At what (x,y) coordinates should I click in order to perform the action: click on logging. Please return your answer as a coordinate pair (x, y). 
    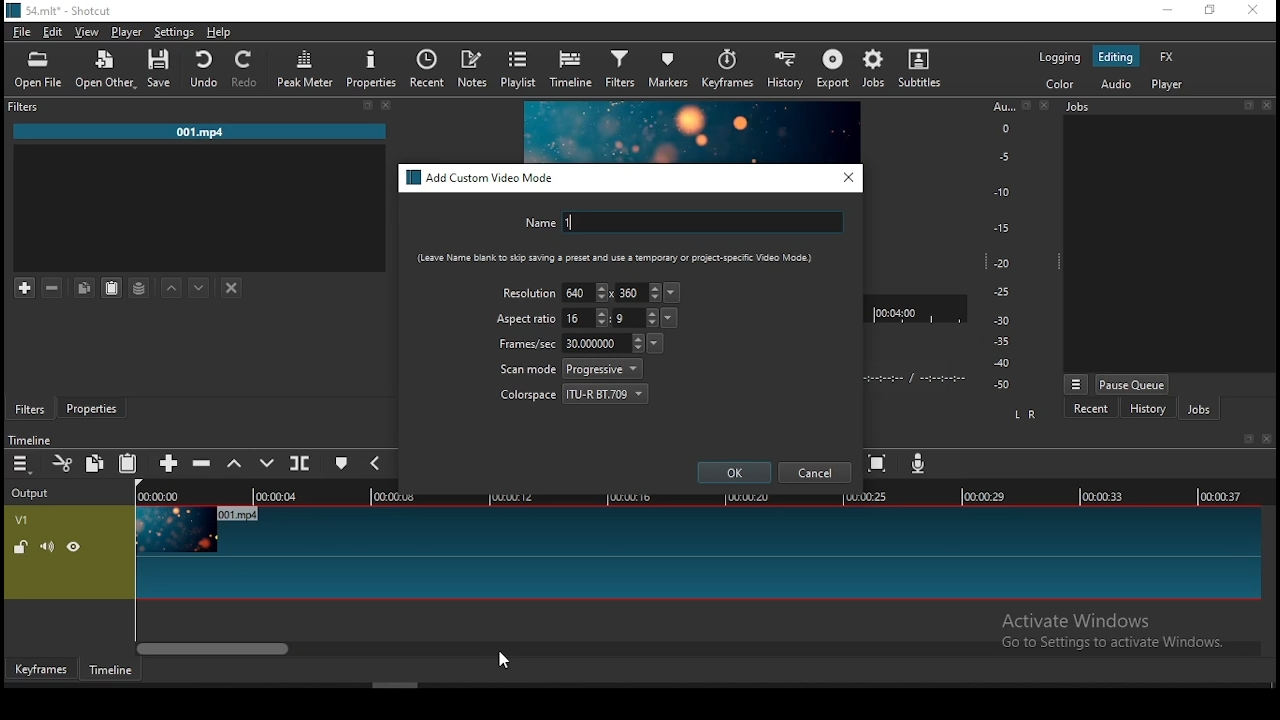
    Looking at the image, I should click on (1059, 56).